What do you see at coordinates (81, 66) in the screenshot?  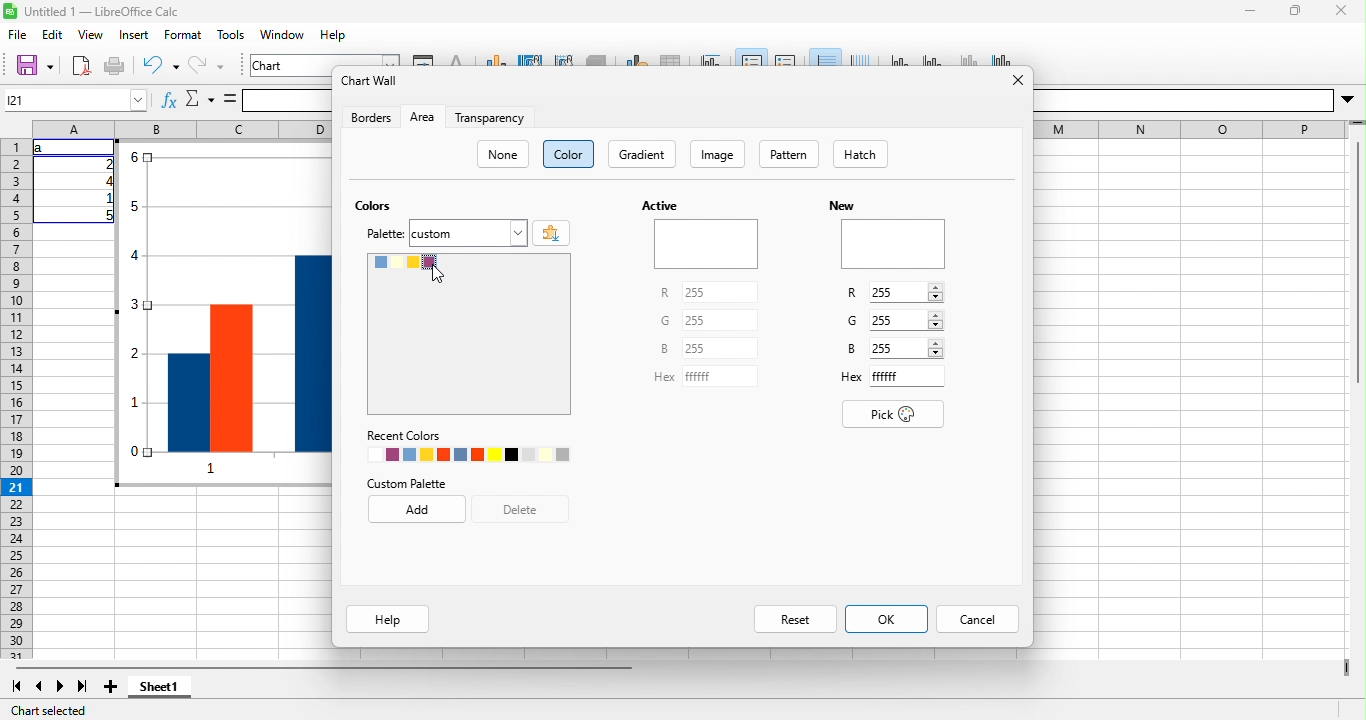 I see `export directly as pdf` at bounding box center [81, 66].